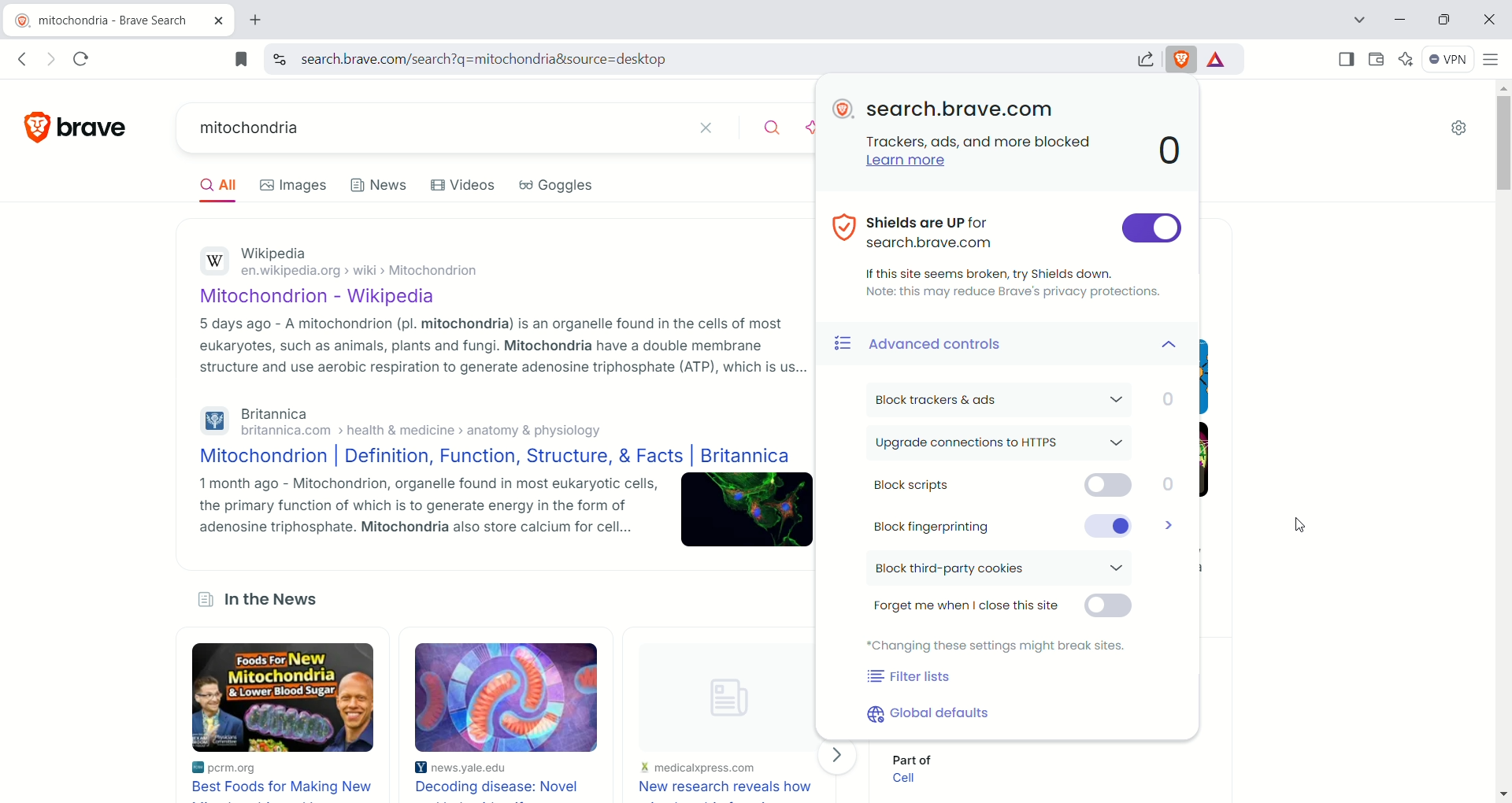 This screenshot has width=1512, height=803. I want to click on Click to go back, hold to see history, so click(22, 60).